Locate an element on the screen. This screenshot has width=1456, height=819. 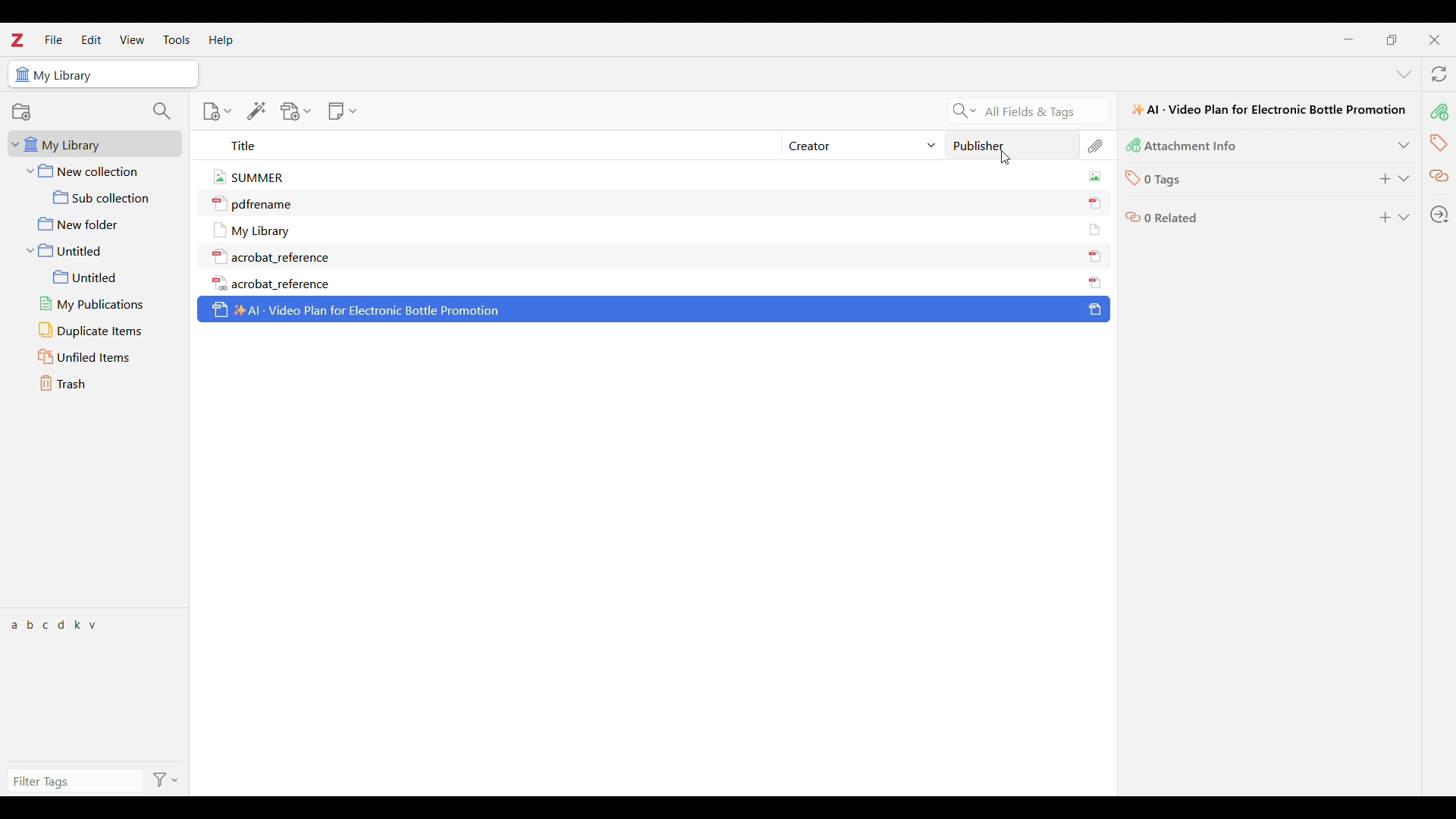
Locate is located at coordinates (1439, 215).